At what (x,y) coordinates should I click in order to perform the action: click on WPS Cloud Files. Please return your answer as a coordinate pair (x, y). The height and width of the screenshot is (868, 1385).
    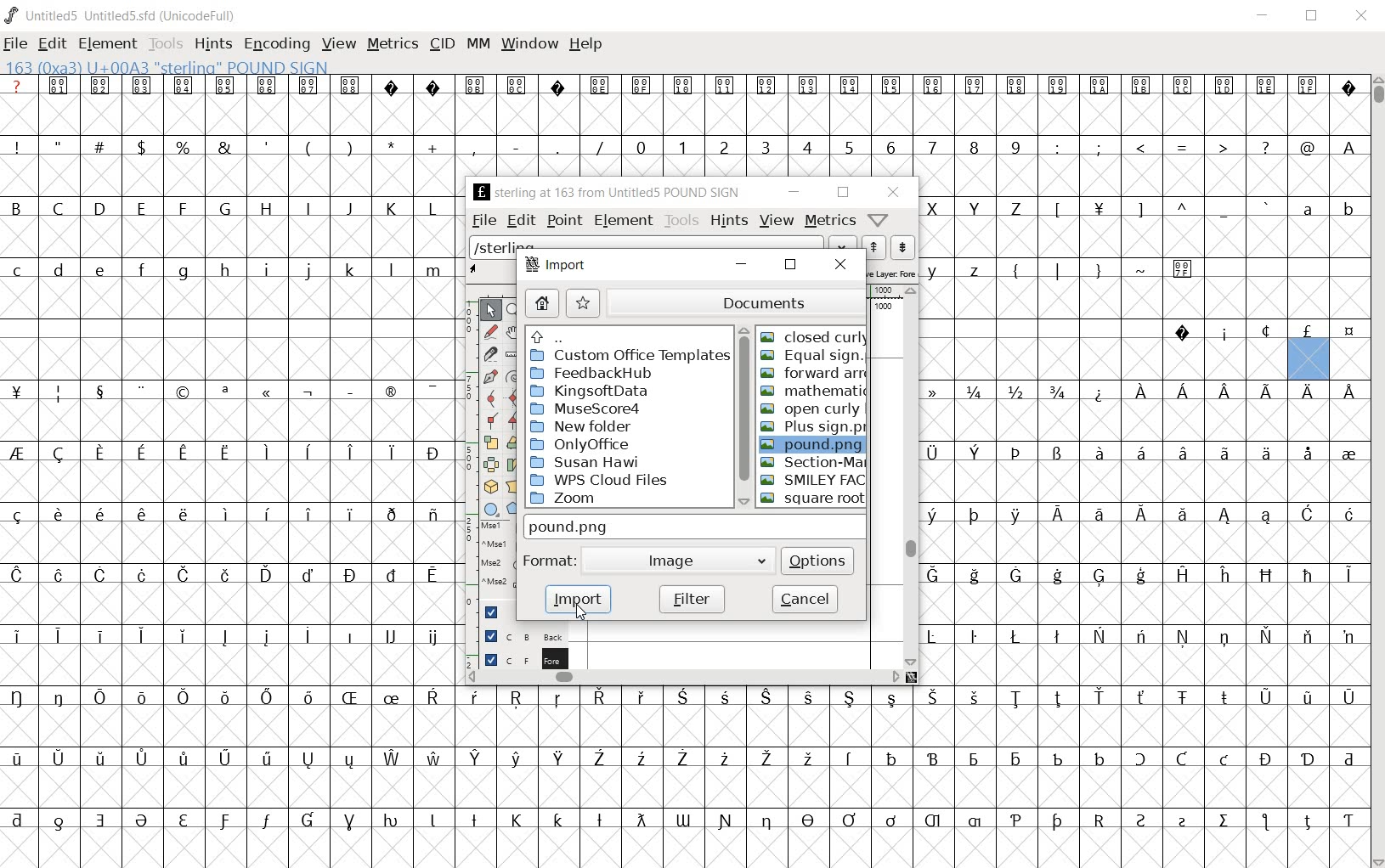
    Looking at the image, I should click on (604, 479).